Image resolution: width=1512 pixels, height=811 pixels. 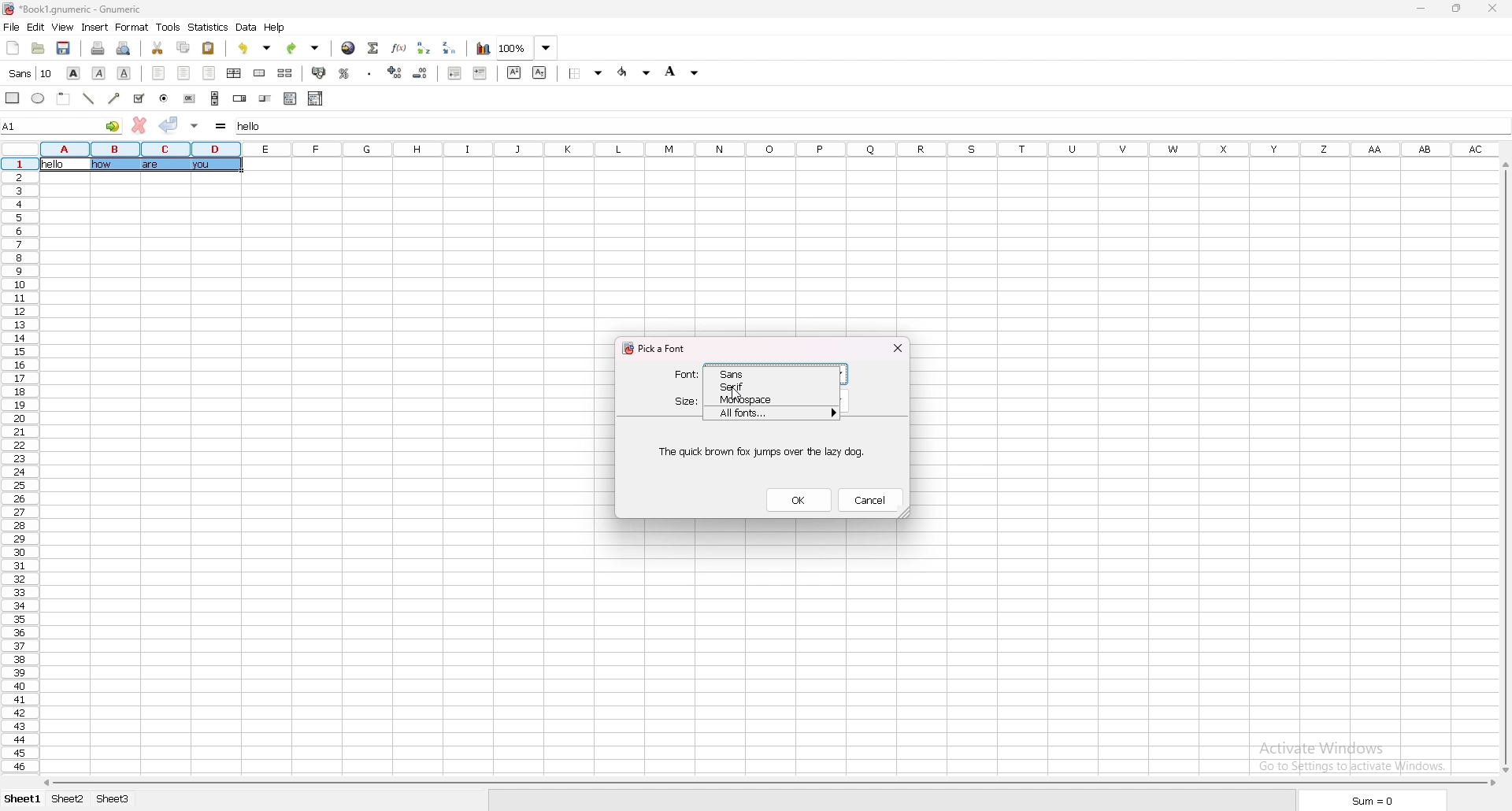 What do you see at coordinates (452, 48) in the screenshot?
I see `sort descending` at bounding box center [452, 48].